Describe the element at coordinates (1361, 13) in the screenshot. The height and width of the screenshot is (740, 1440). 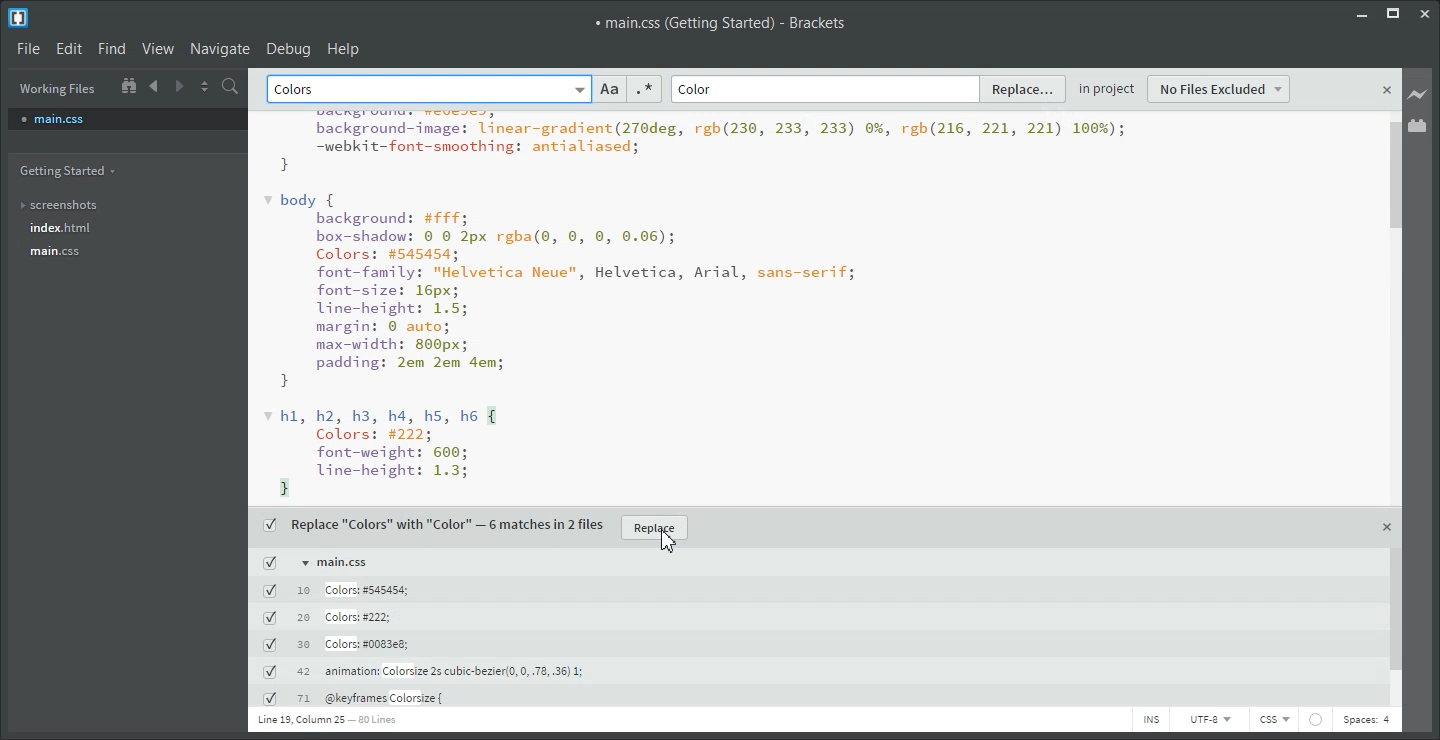
I see `Minimize` at that location.